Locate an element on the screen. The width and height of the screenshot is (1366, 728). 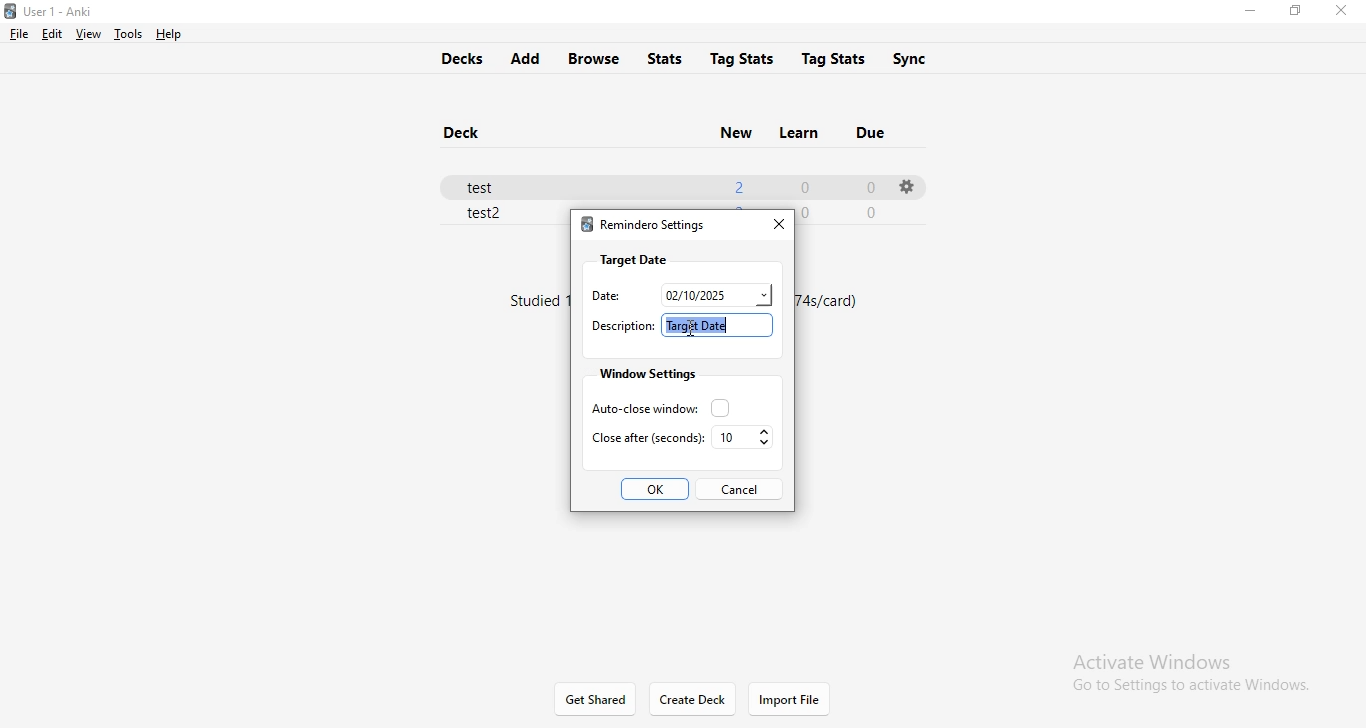
sync is located at coordinates (923, 59).